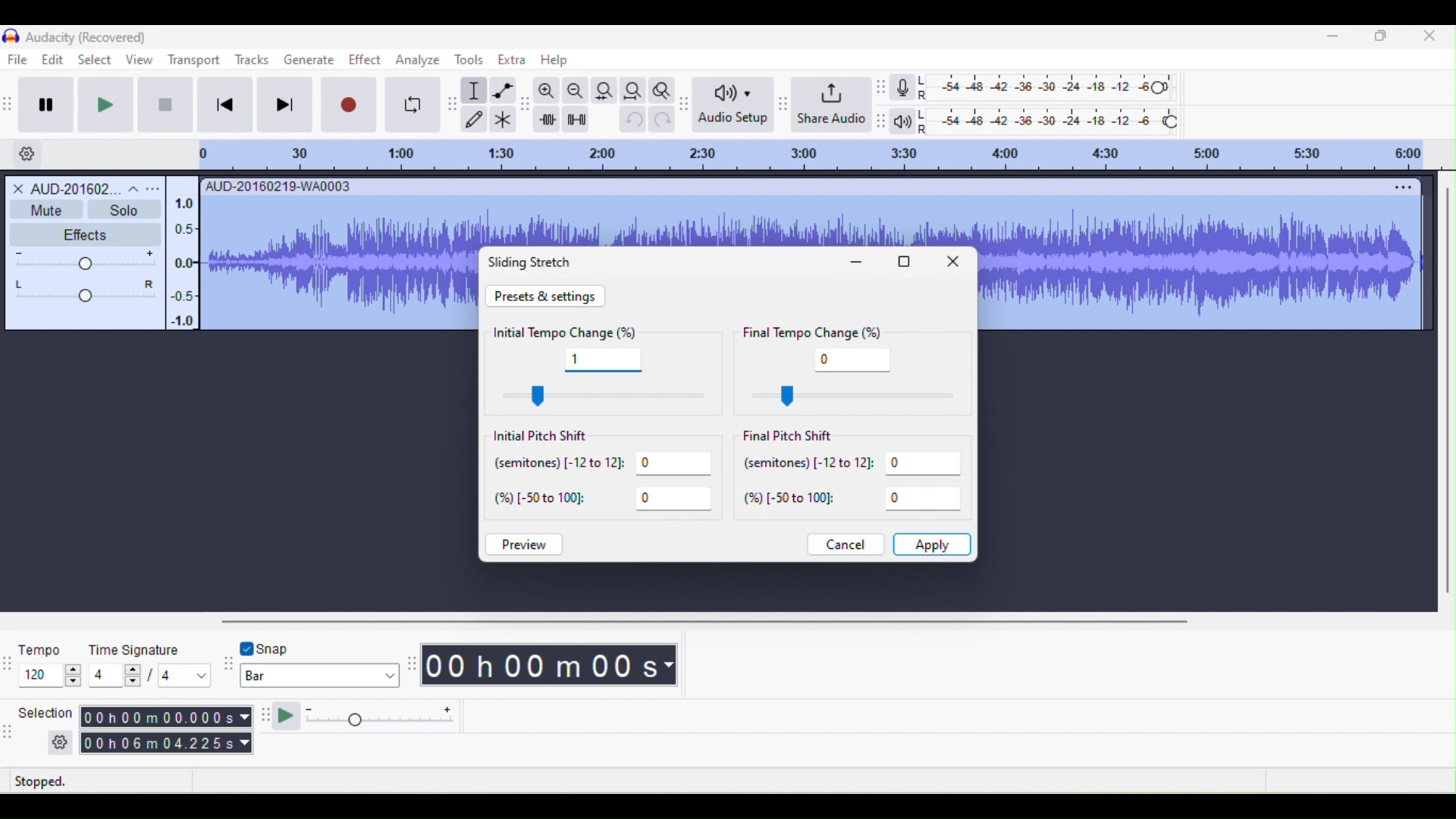 This screenshot has height=819, width=1456. I want to click on audacity recording meter toolbar, so click(882, 88).